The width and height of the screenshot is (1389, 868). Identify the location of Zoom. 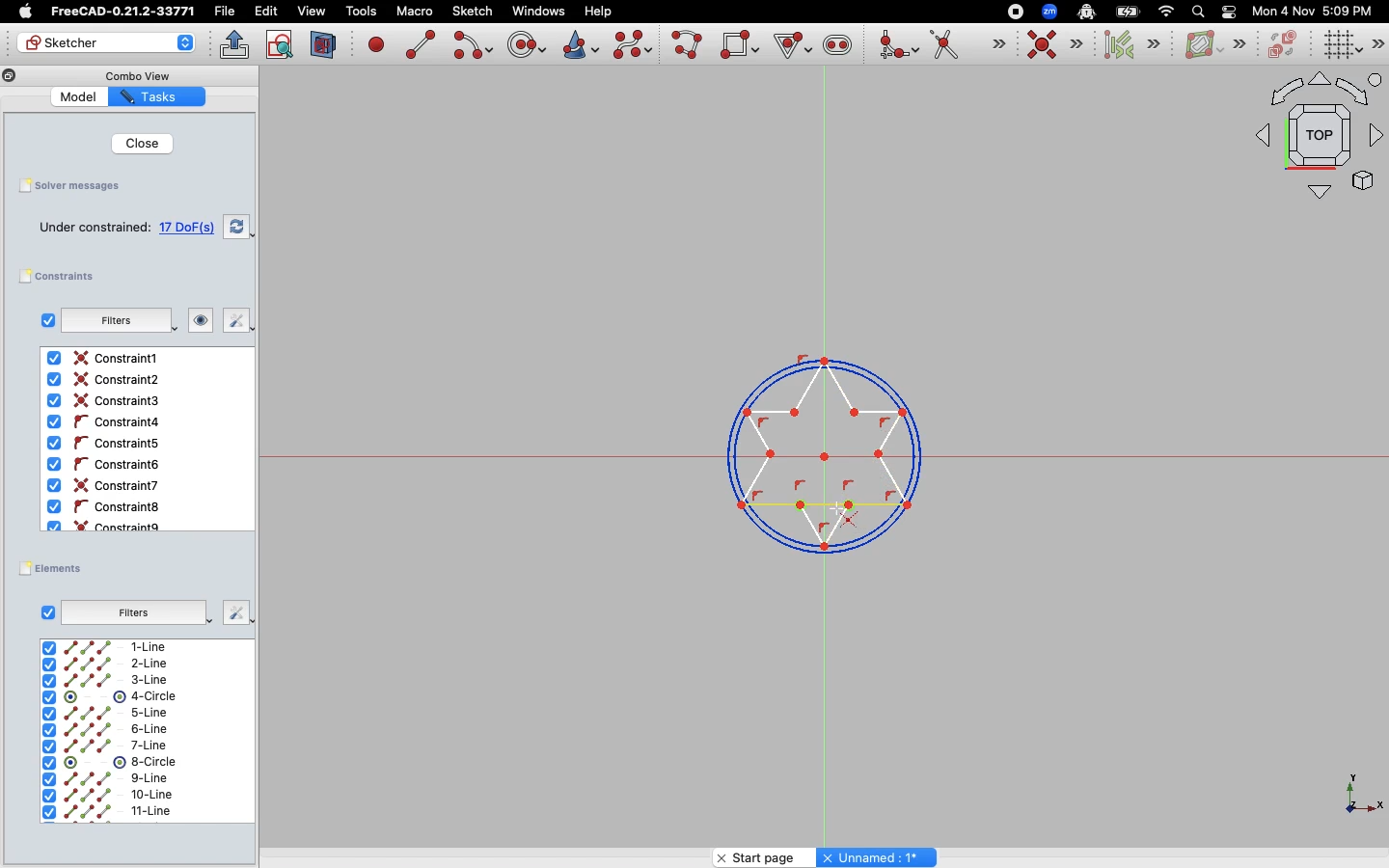
(1050, 12).